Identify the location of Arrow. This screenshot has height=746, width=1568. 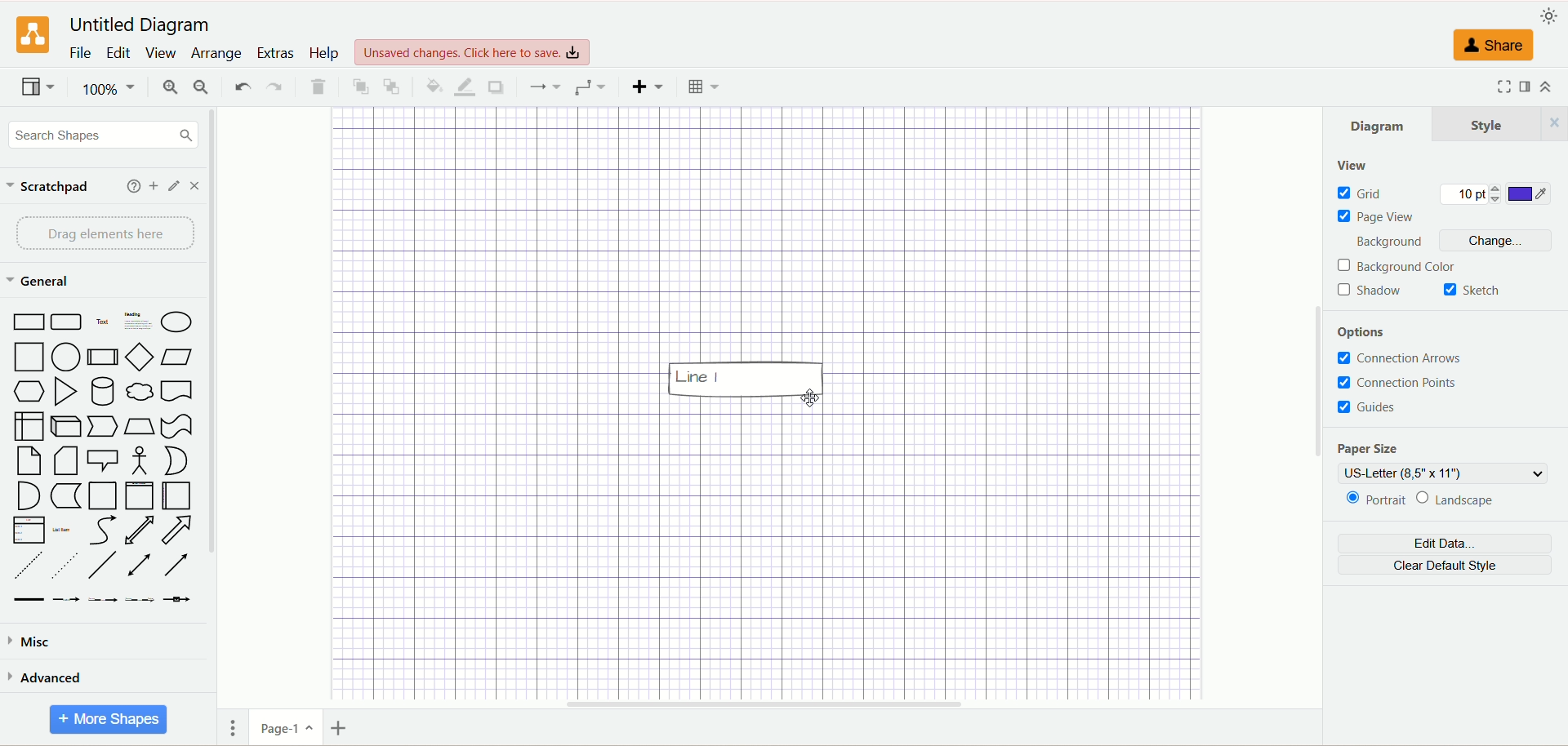
(176, 531).